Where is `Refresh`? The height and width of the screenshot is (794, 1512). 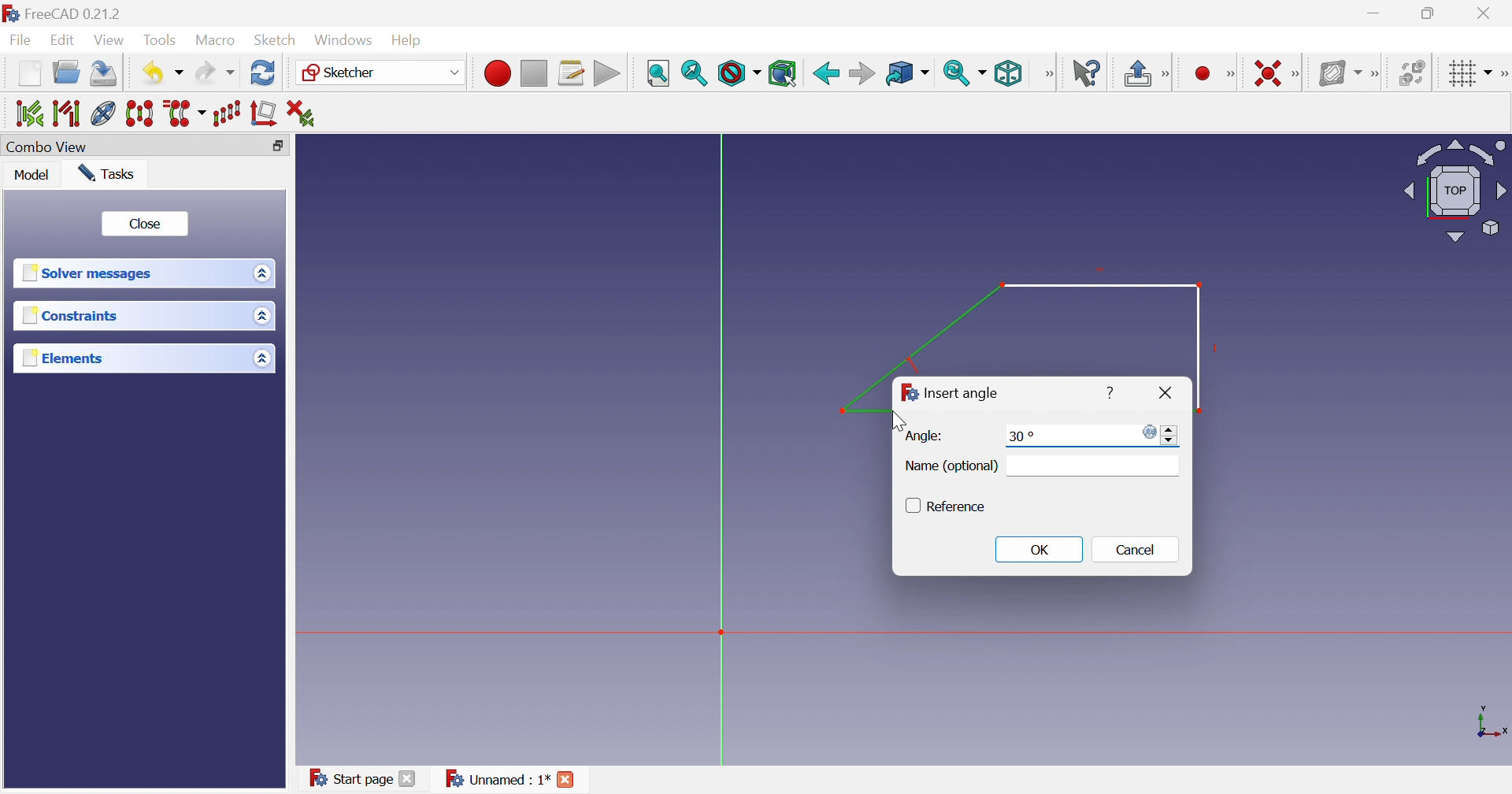 Refresh is located at coordinates (263, 75).